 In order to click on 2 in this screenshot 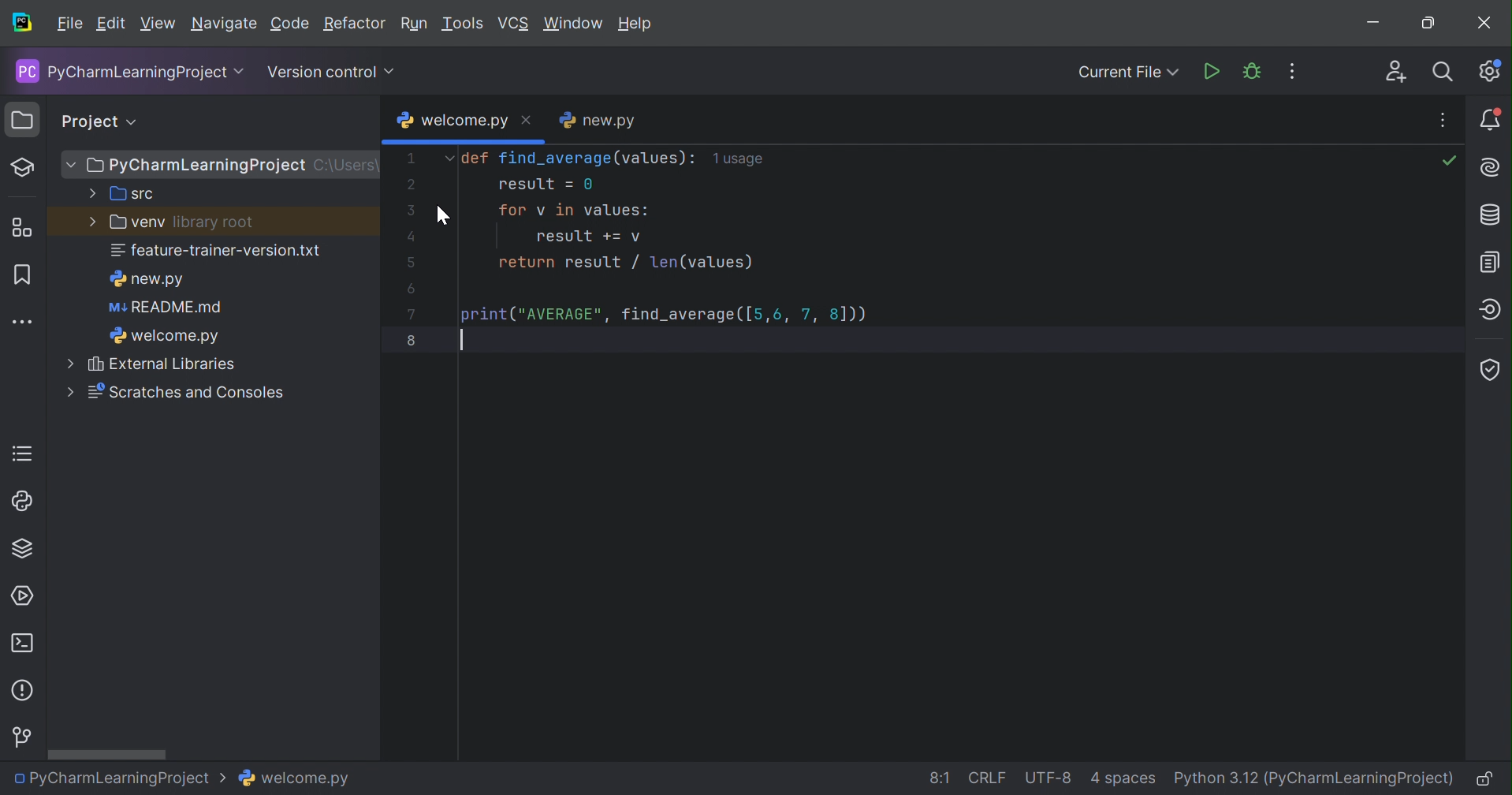, I will do `click(410, 188)`.